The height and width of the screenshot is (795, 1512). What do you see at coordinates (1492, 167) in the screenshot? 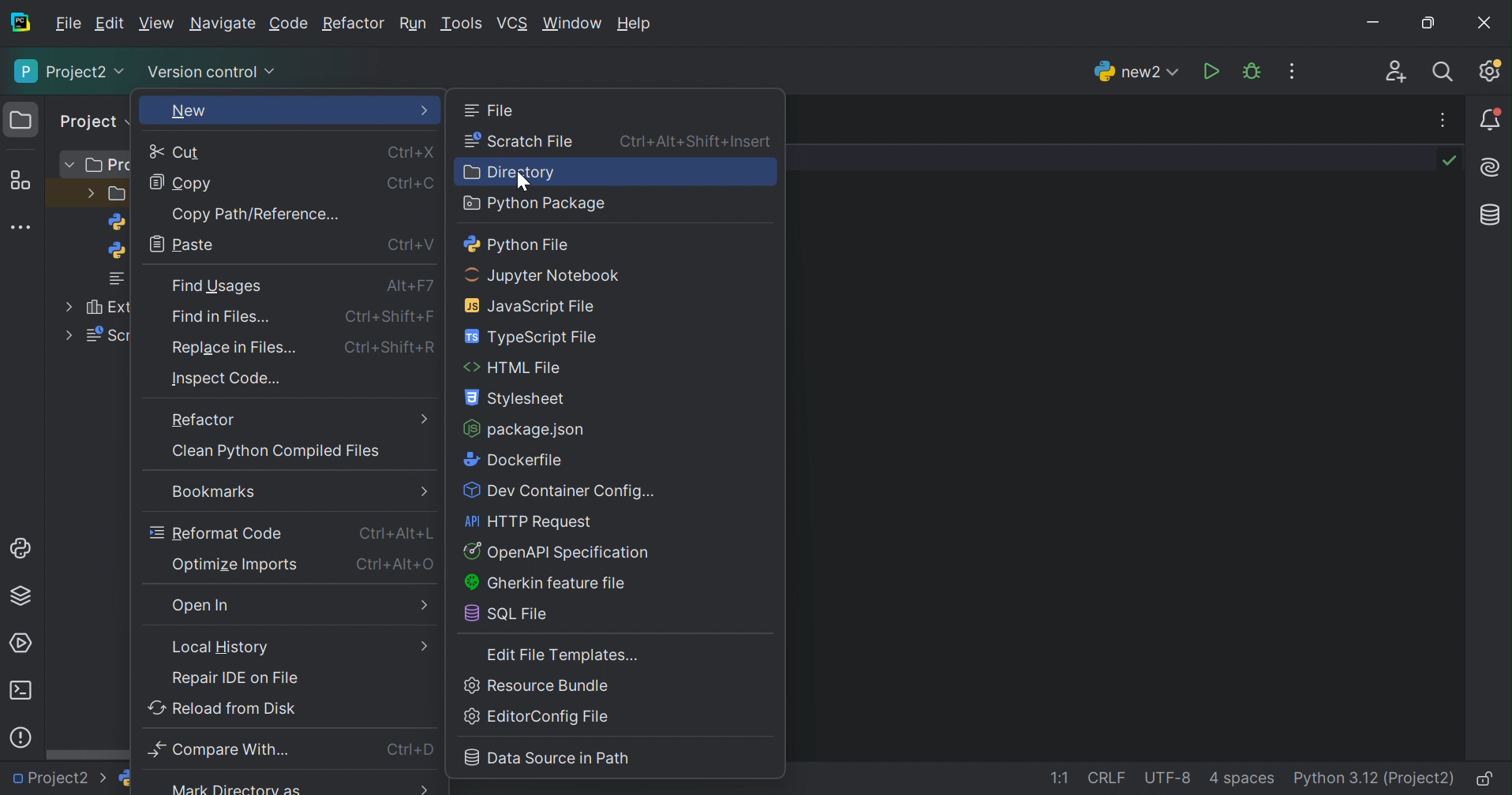
I see `AI Assistant` at bounding box center [1492, 167].